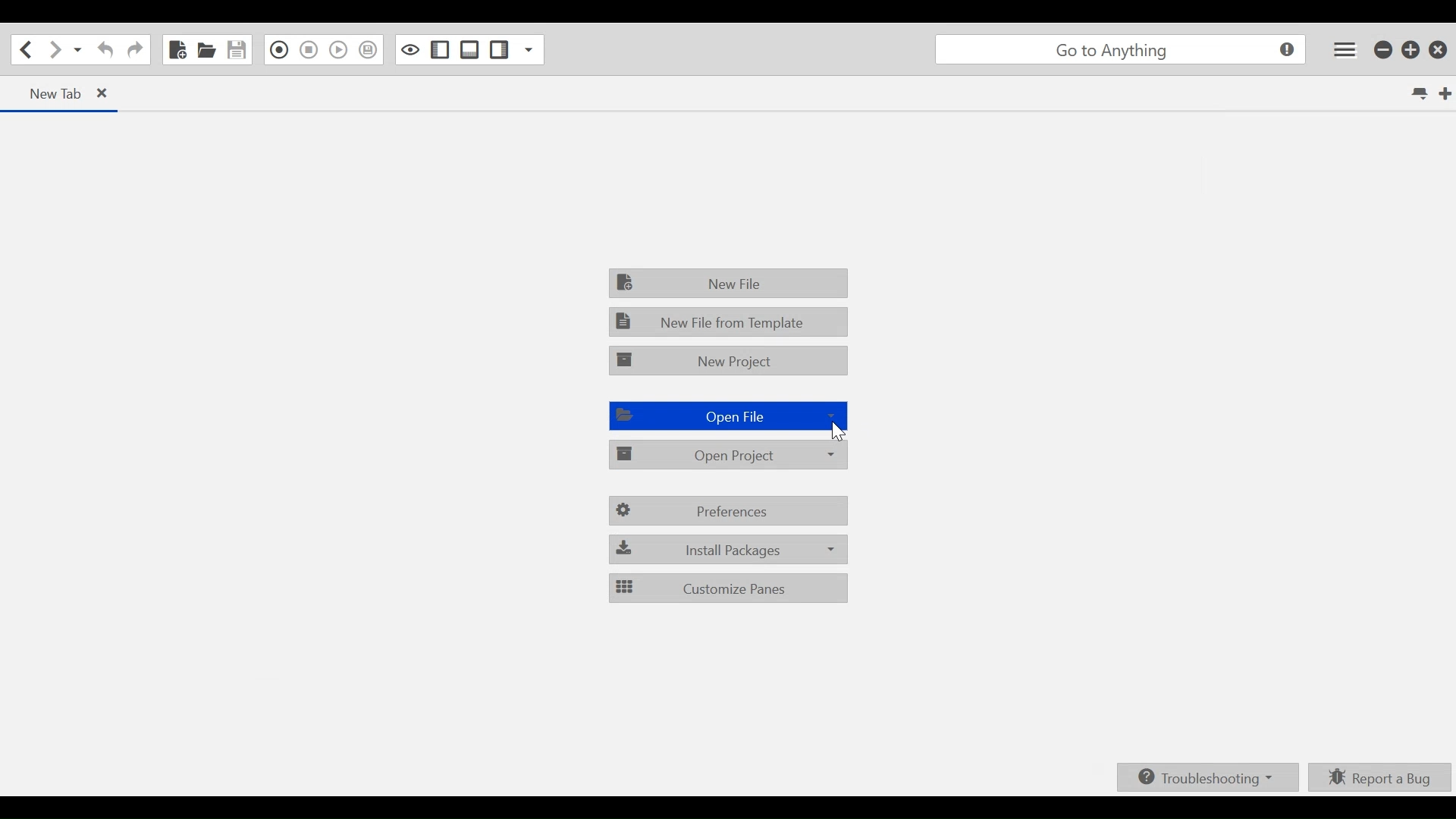 The height and width of the screenshot is (819, 1456). Describe the element at coordinates (441, 49) in the screenshot. I see `Show/Hide Right pane` at that location.